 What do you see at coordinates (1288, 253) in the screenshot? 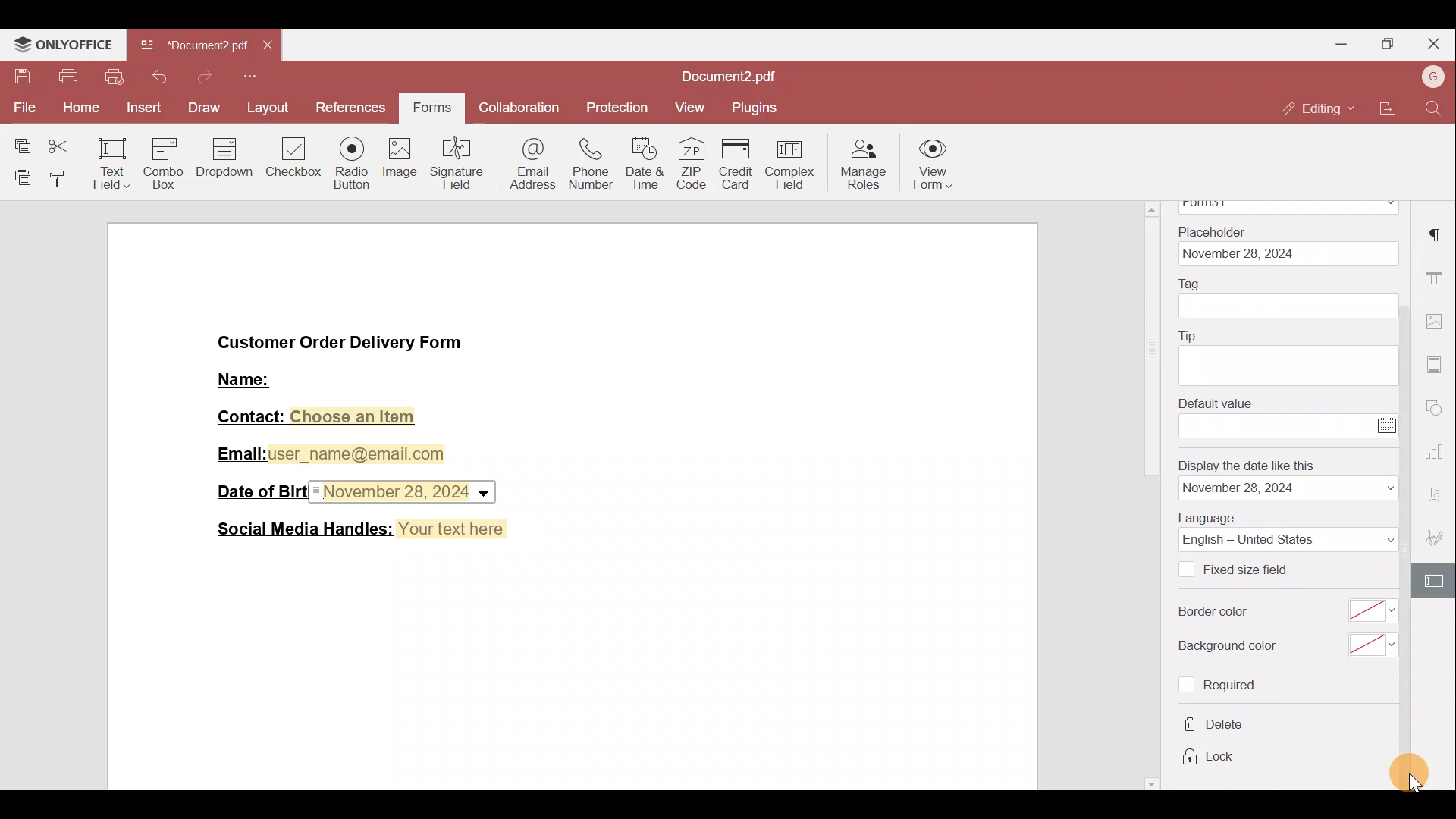
I see `date` at bounding box center [1288, 253].